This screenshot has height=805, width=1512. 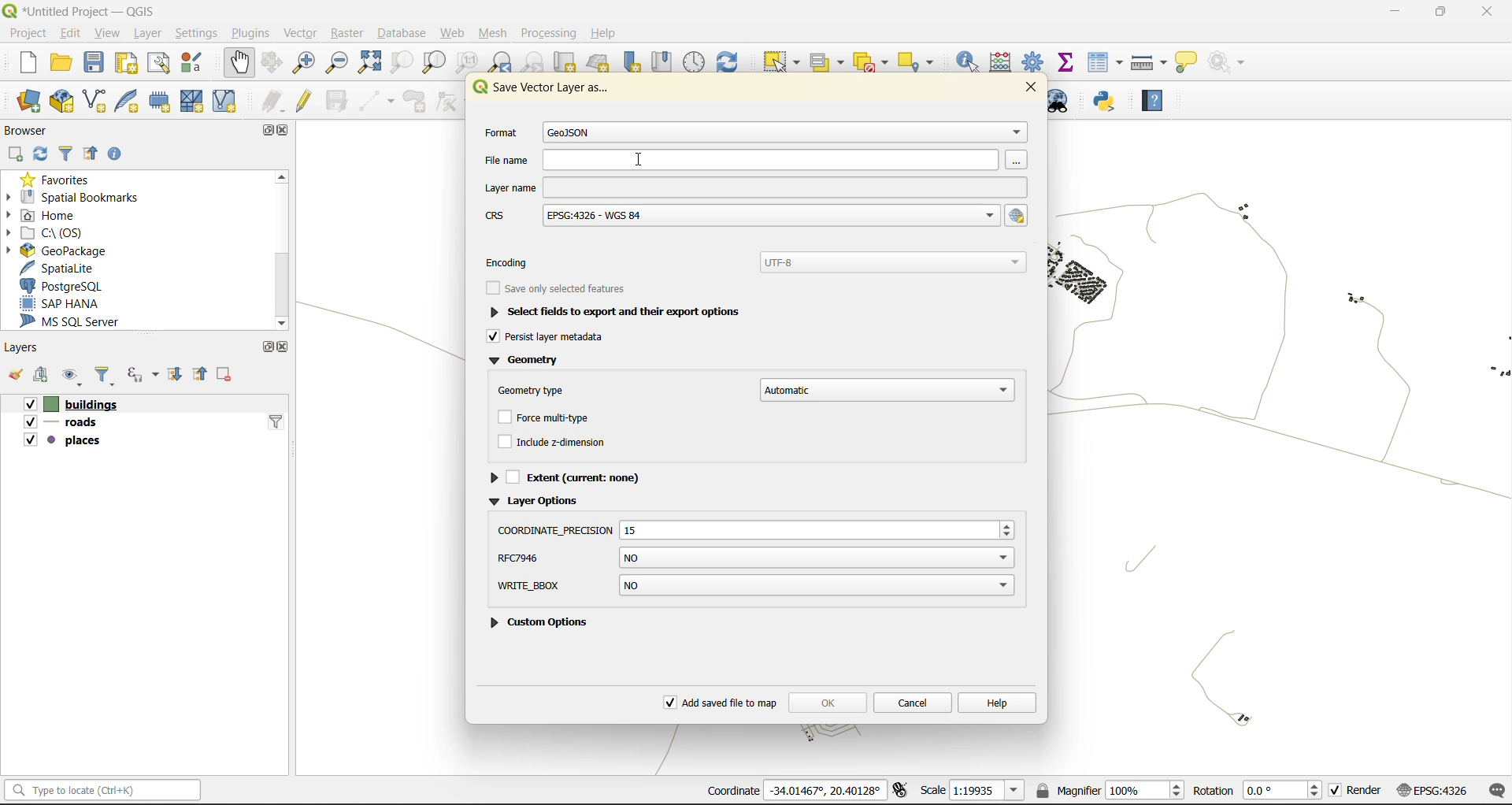 I want to click on new mesh, so click(x=195, y=101).